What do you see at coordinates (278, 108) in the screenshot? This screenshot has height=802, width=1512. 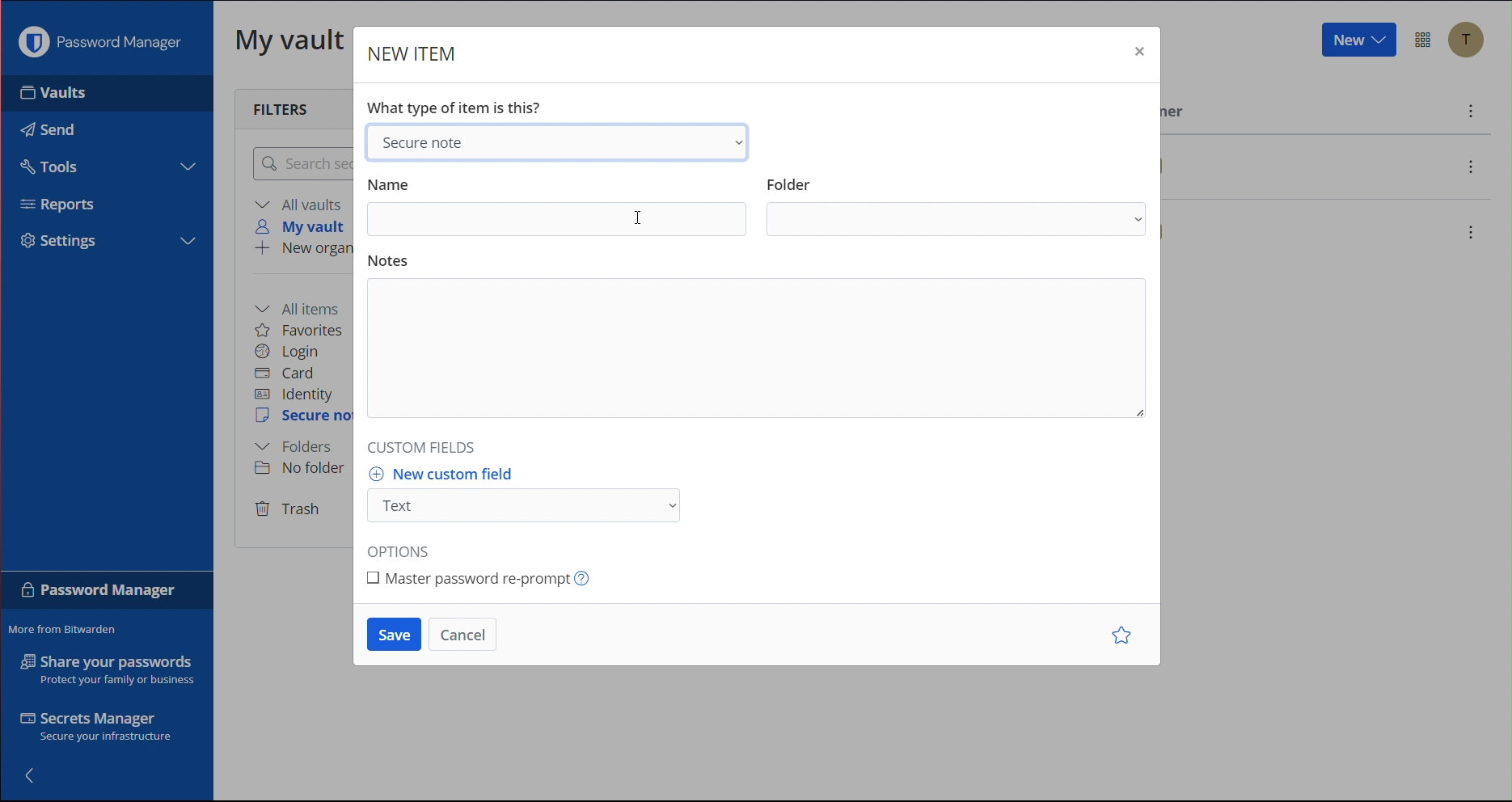 I see `Filters` at bounding box center [278, 108].